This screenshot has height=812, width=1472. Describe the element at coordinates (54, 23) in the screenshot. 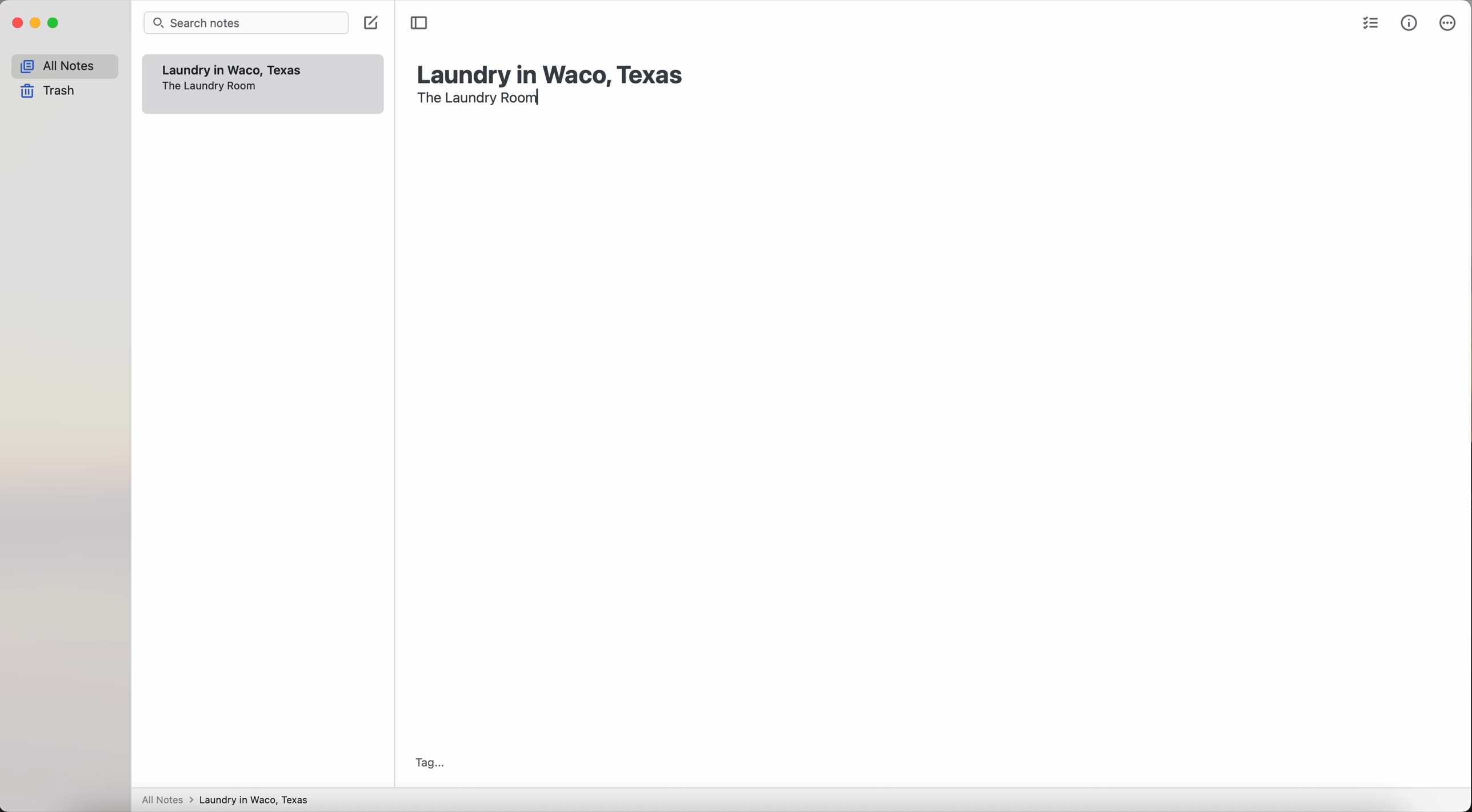

I see `maximize app` at that location.